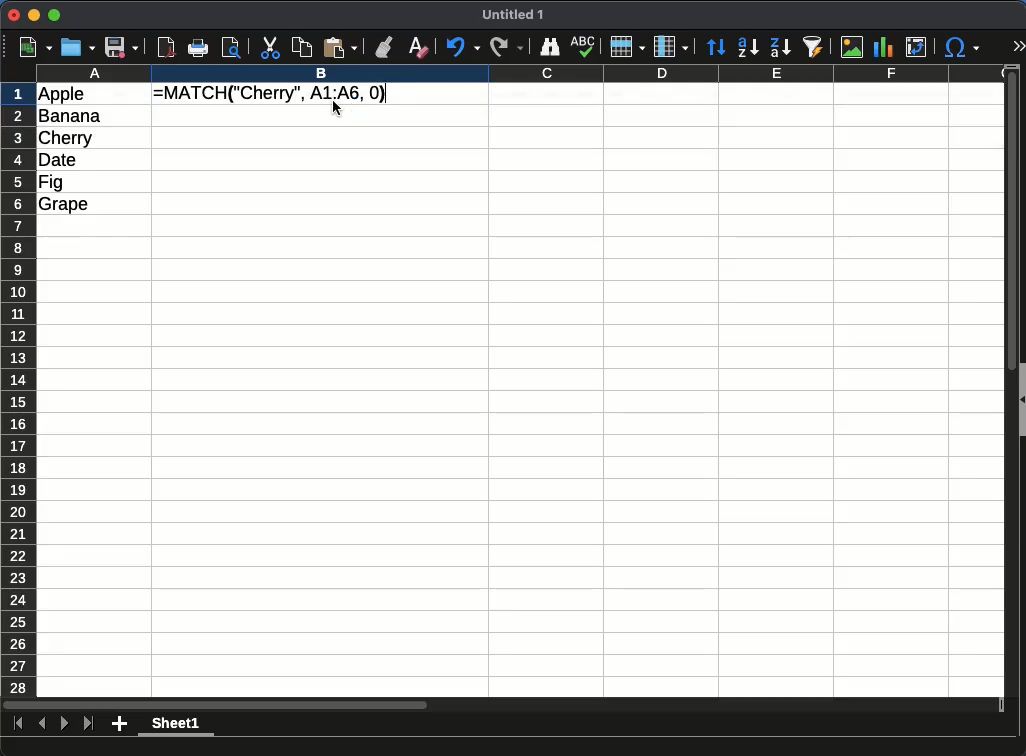 This screenshot has height=756, width=1026. Describe the element at coordinates (419, 48) in the screenshot. I see `clear formatting` at that location.